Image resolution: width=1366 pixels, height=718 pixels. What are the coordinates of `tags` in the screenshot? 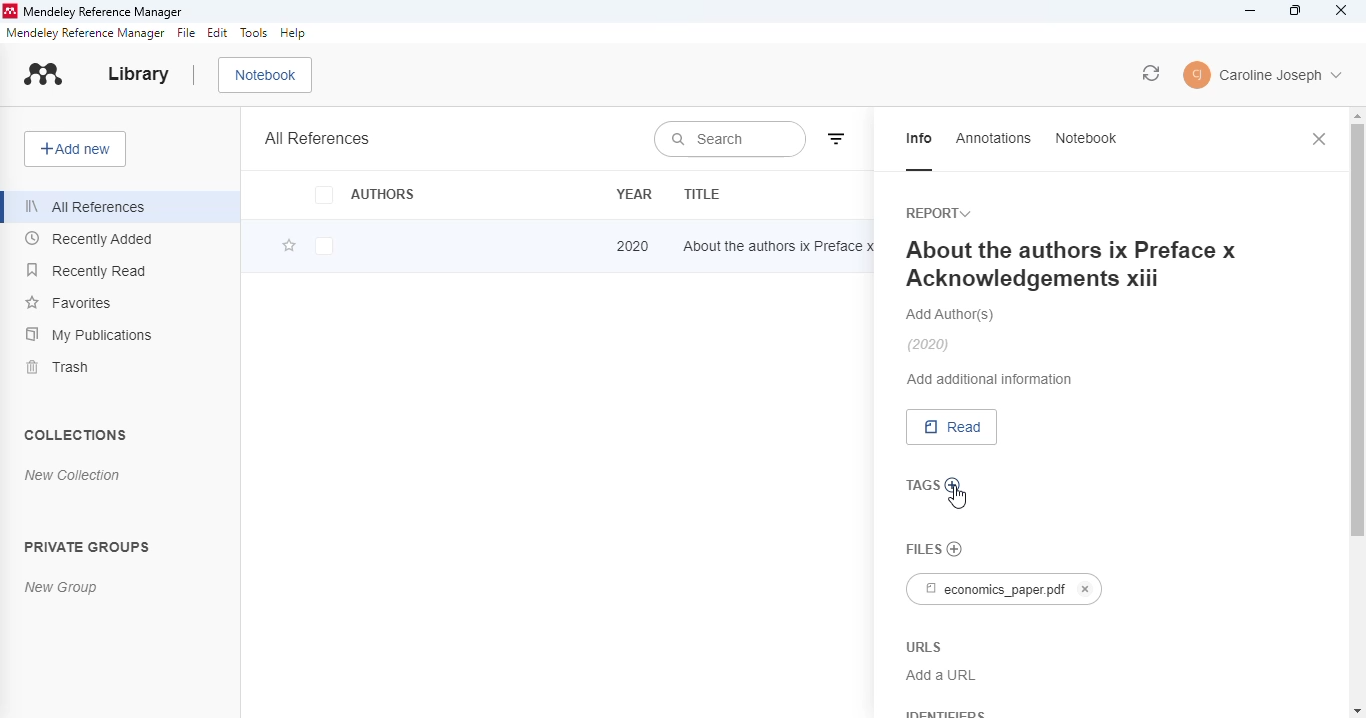 It's located at (922, 484).